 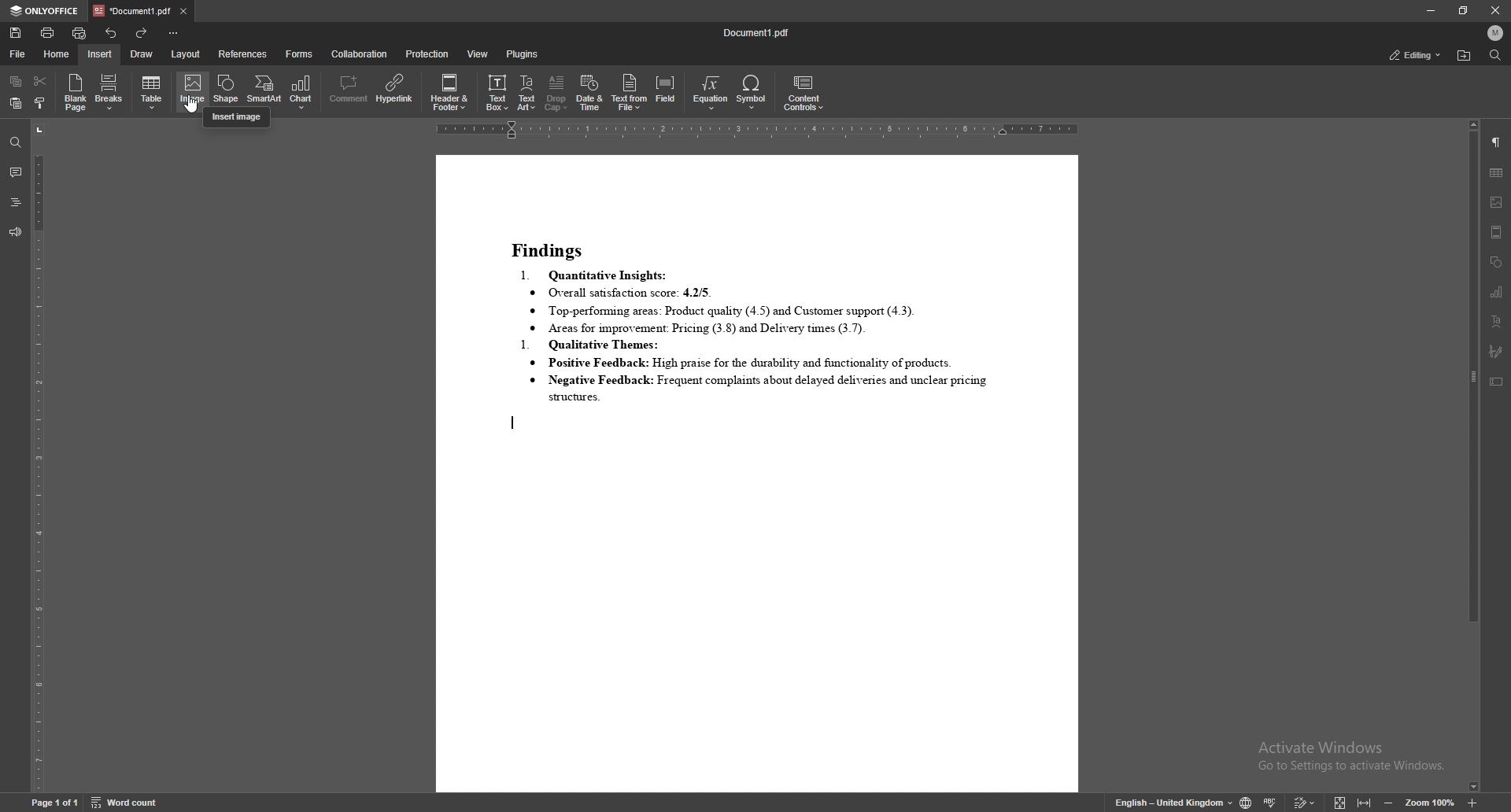 I want to click on word count, so click(x=127, y=802).